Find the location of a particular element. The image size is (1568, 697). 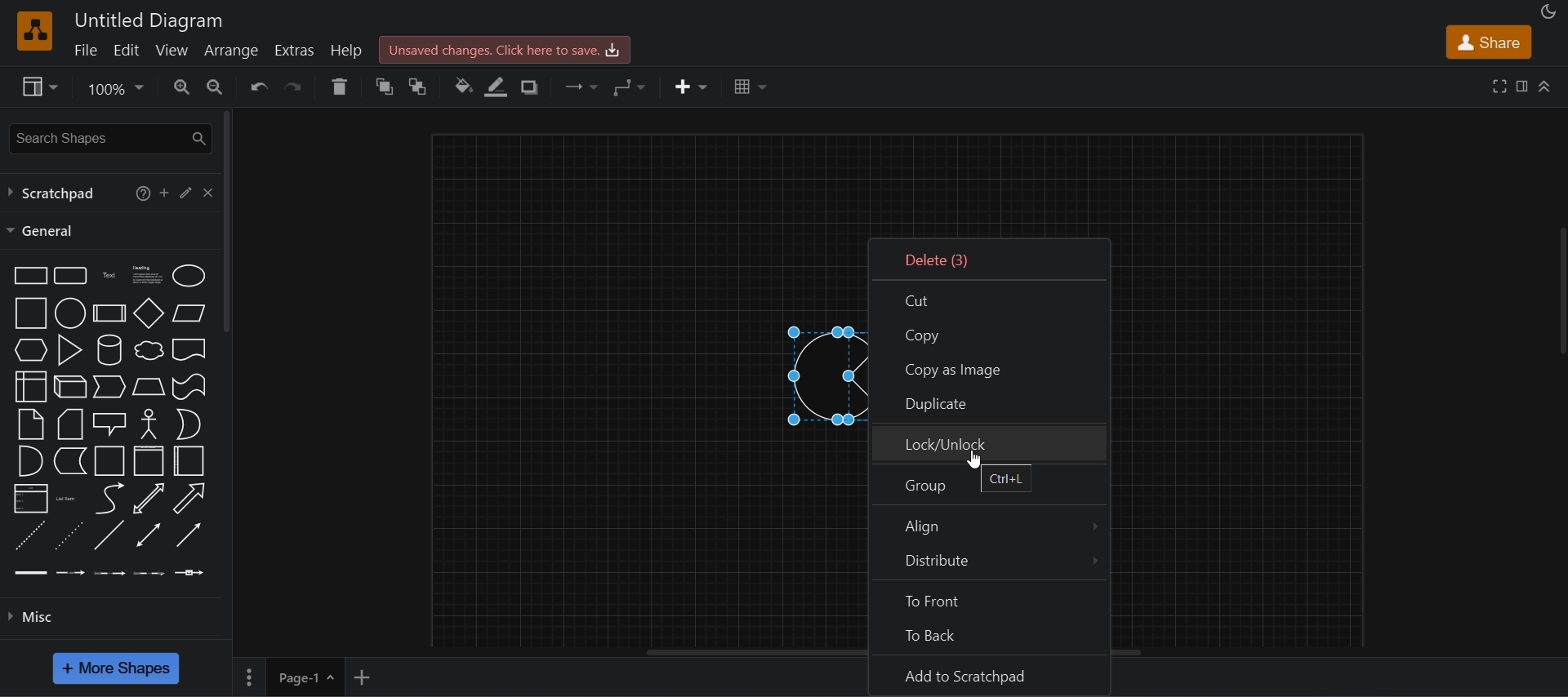

redo is located at coordinates (297, 87).